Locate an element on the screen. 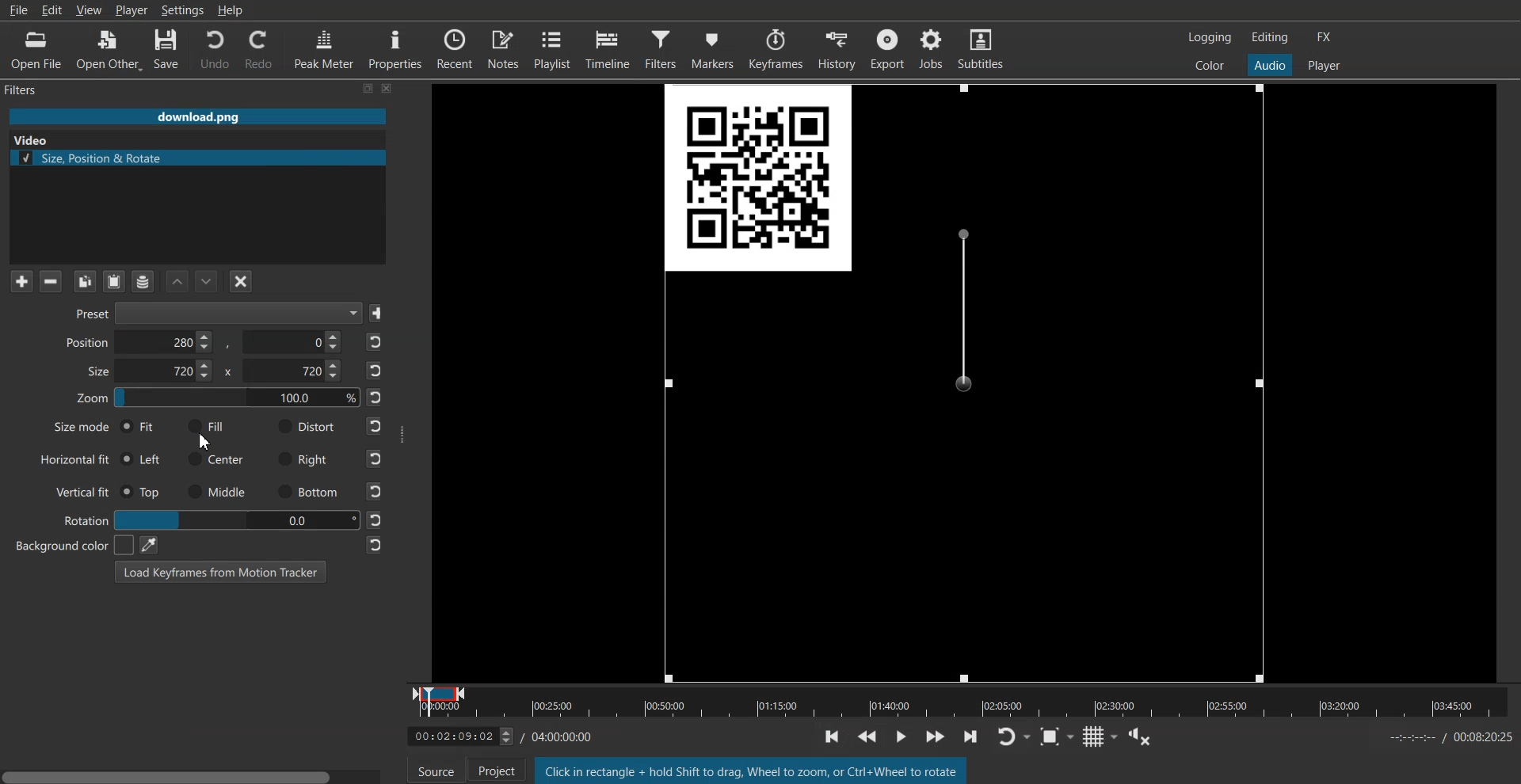 The image size is (1521, 784). Switch to the color layout is located at coordinates (1210, 66).